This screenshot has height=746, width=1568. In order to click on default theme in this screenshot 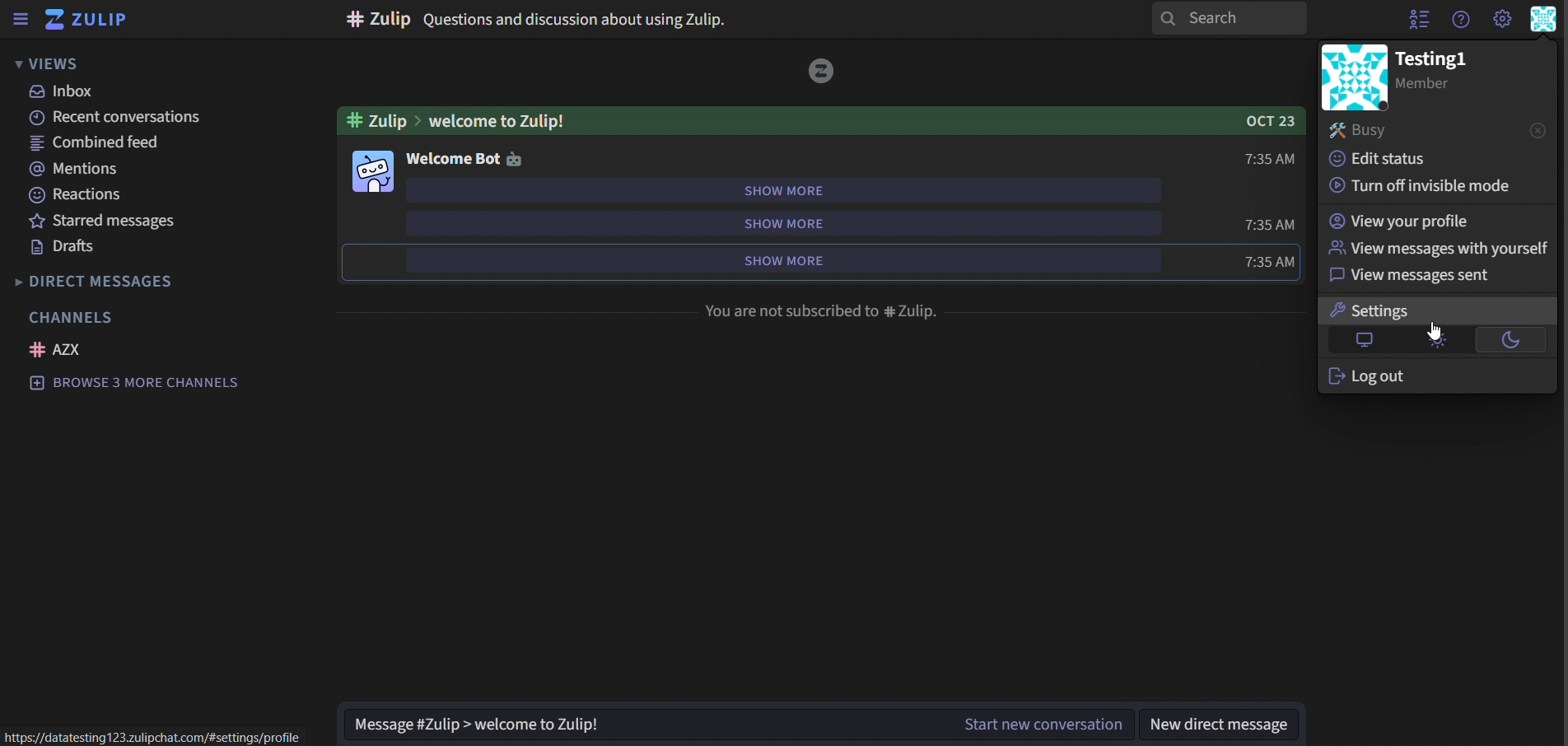, I will do `click(1364, 339)`.